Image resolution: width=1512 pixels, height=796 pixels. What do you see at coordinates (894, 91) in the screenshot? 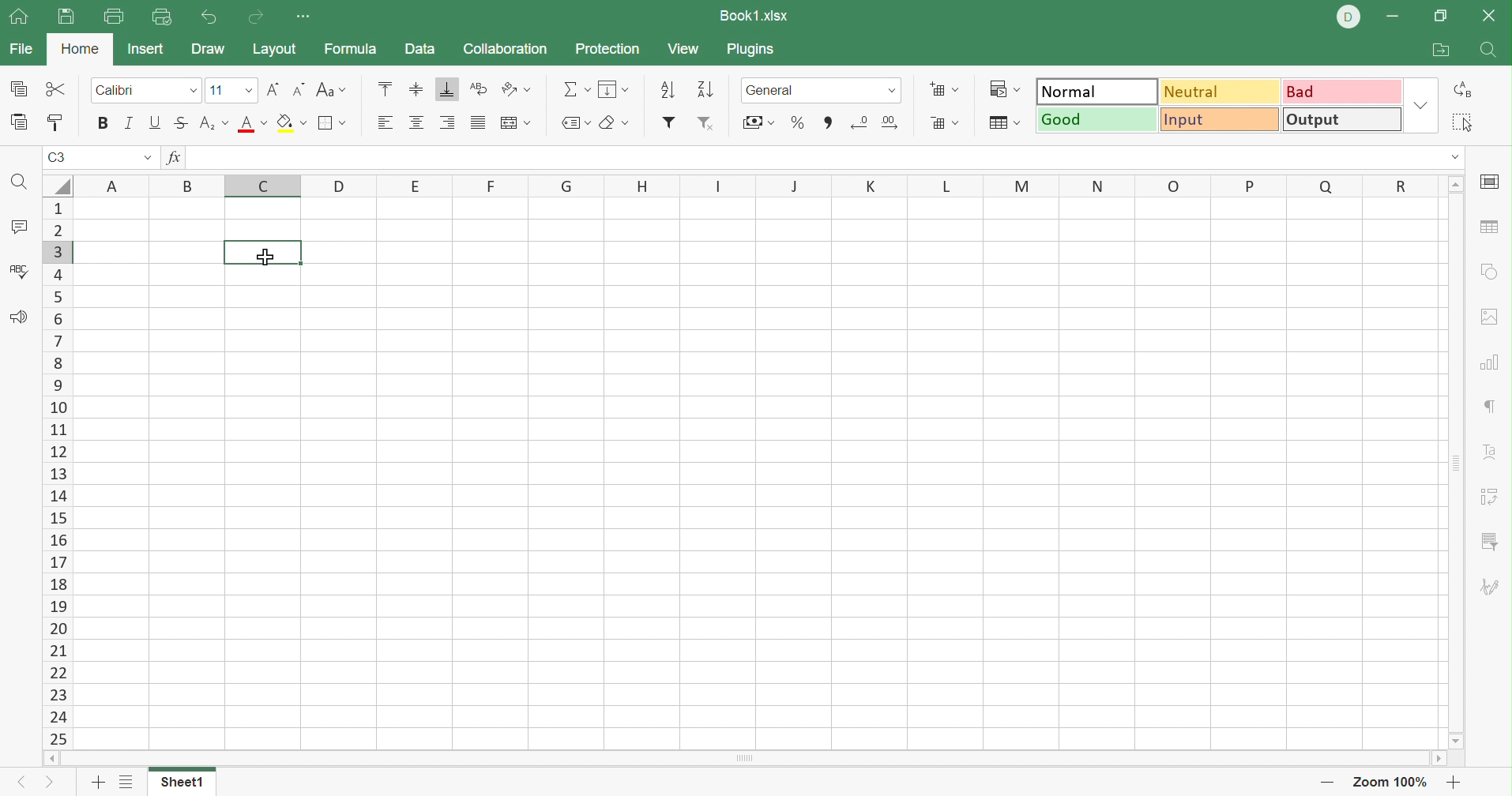
I see `Drop down` at bounding box center [894, 91].